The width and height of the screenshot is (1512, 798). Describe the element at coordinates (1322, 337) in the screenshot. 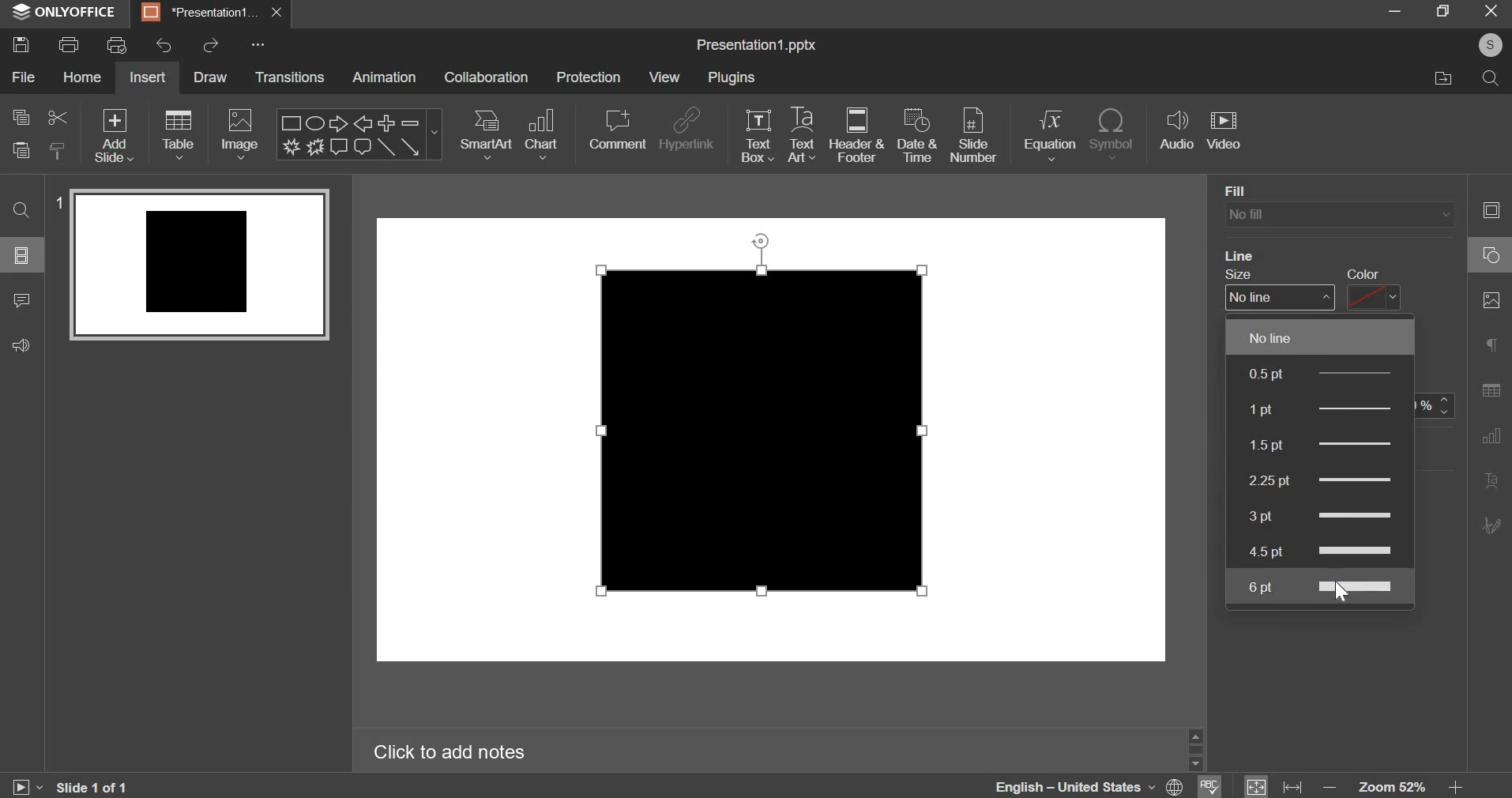

I see `no line` at that location.